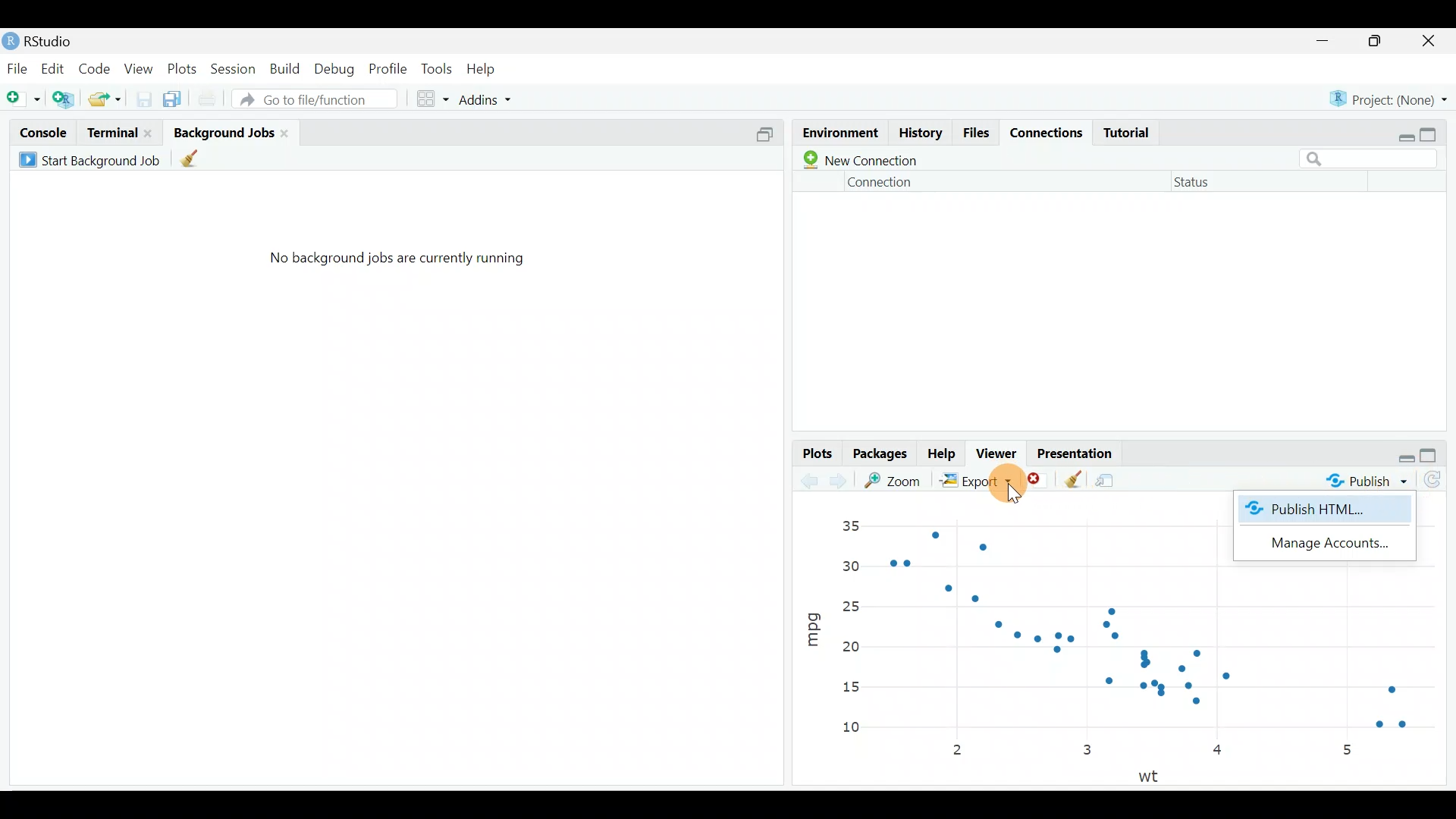 This screenshot has height=819, width=1456. I want to click on Status, so click(1196, 185).